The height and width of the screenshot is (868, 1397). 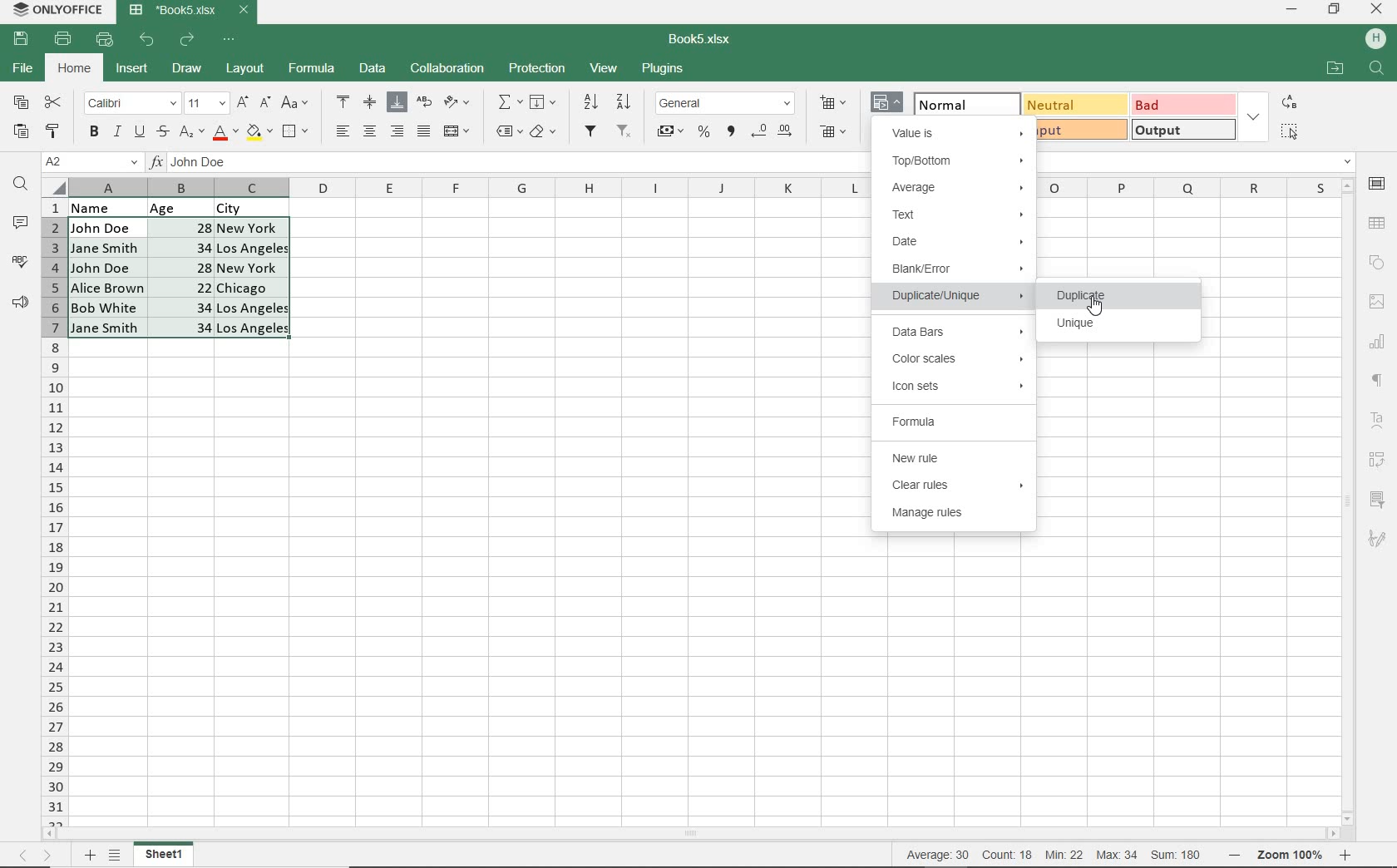 I want to click on SCROLLBAR, so click(x=696, y=835).